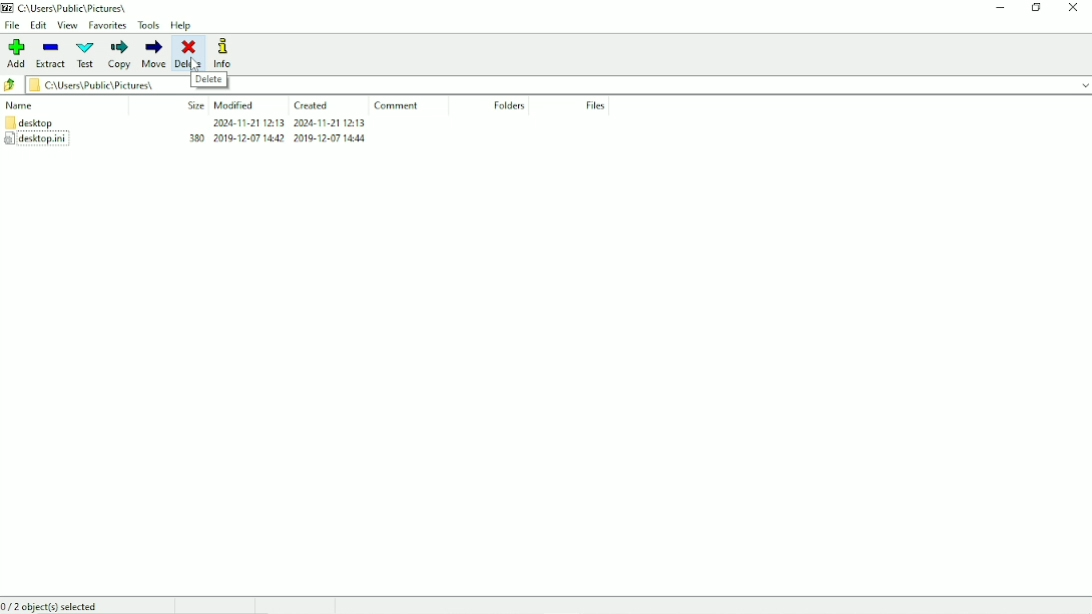 The width and height of the screenshot is (1092, 614). Describe the element at coordinates (510, 105) in the screenshot. I see `Folders` at that location.